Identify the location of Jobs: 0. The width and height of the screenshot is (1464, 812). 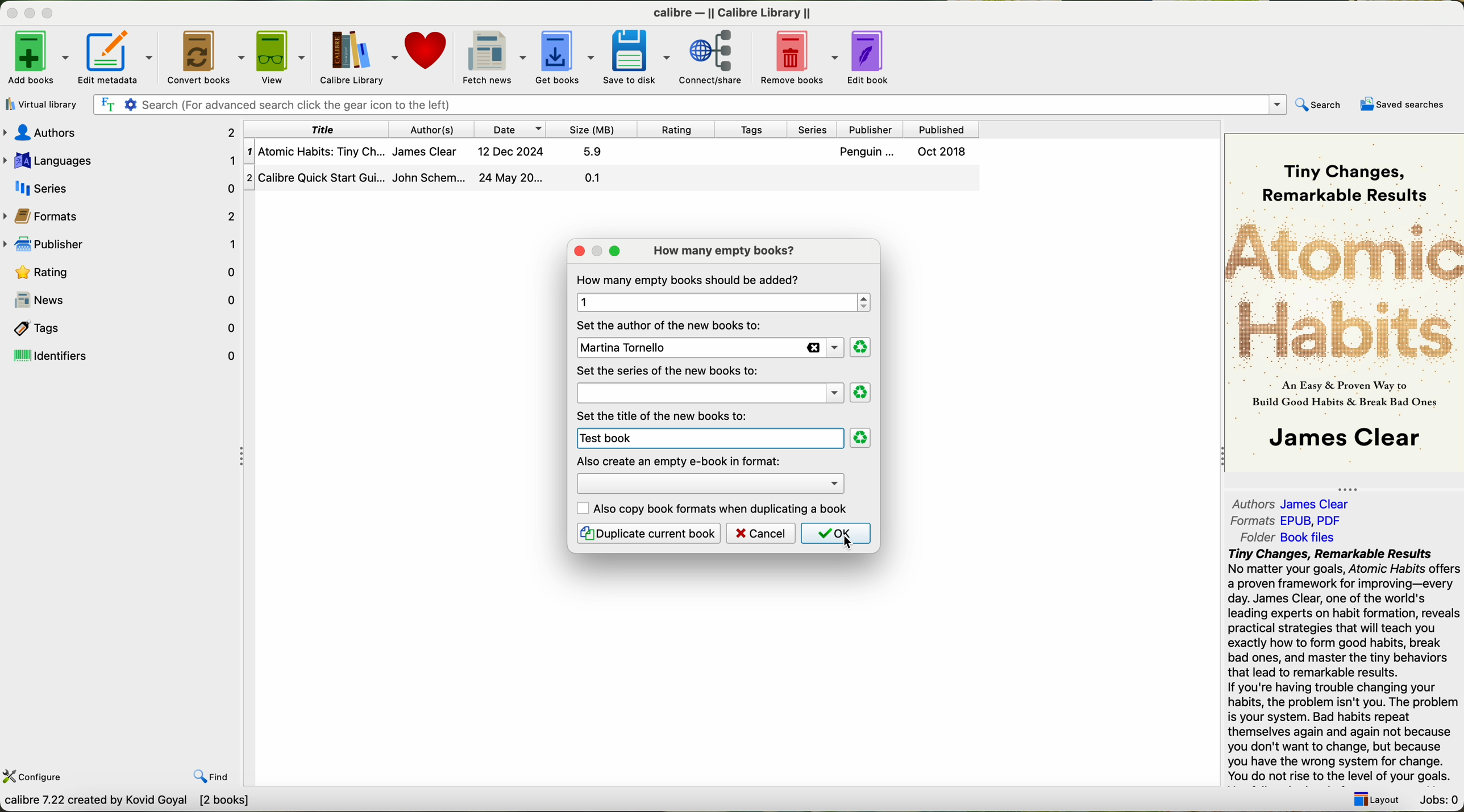
(1437, 801).